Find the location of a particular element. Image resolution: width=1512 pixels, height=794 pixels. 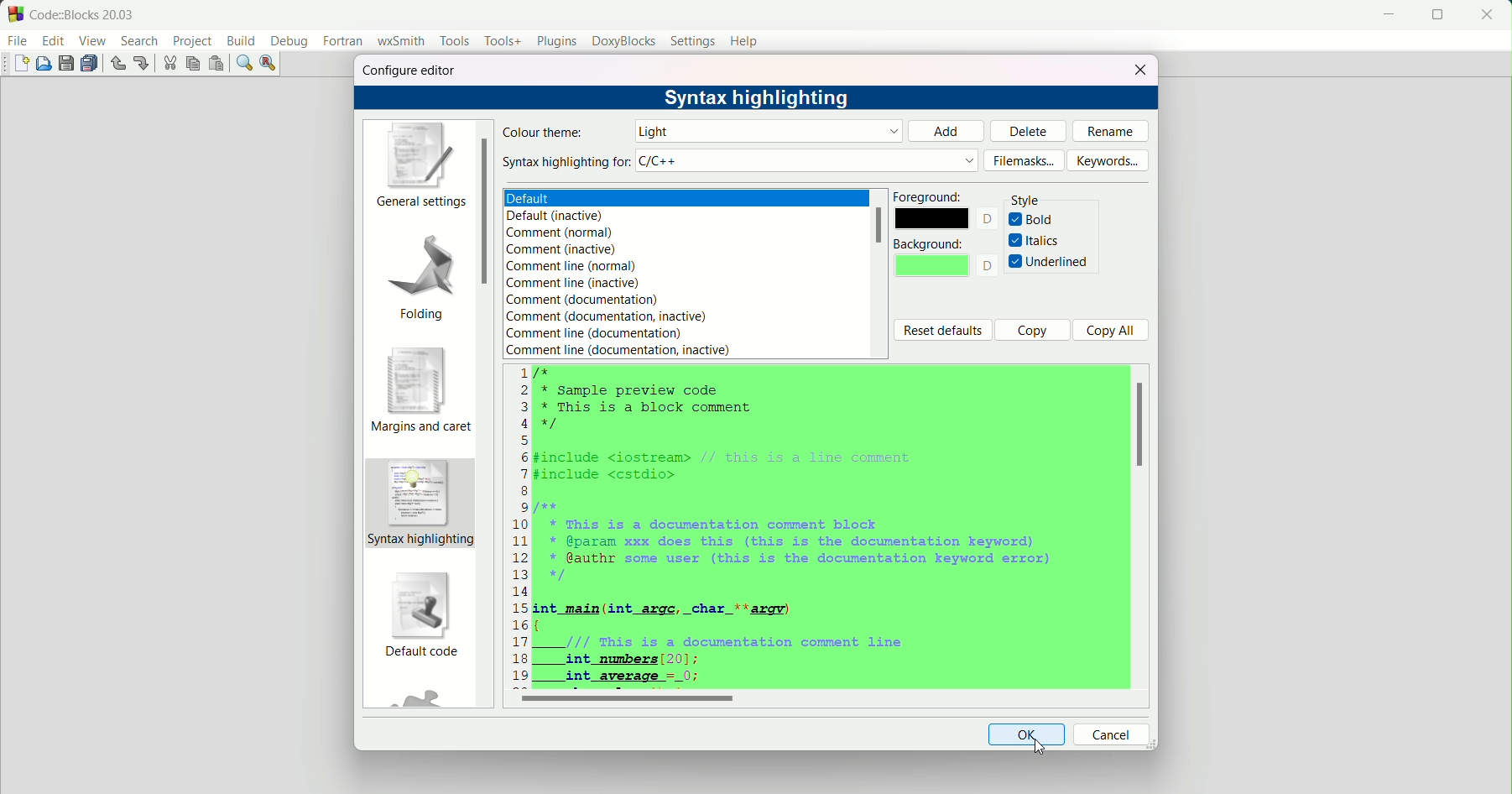

new file is located at coordinates (23, 65).